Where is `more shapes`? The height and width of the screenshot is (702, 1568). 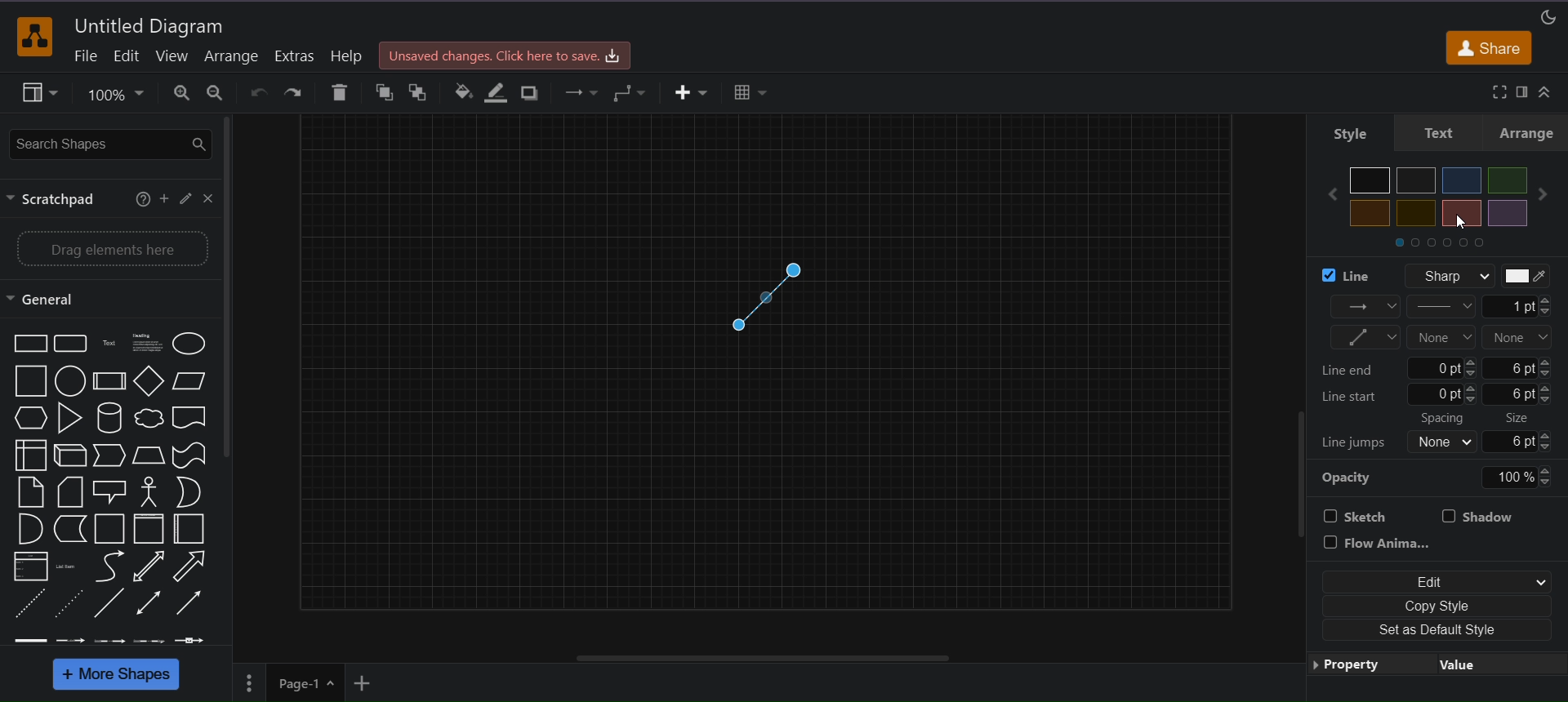 more shapes is located at coordinates (115, 675).